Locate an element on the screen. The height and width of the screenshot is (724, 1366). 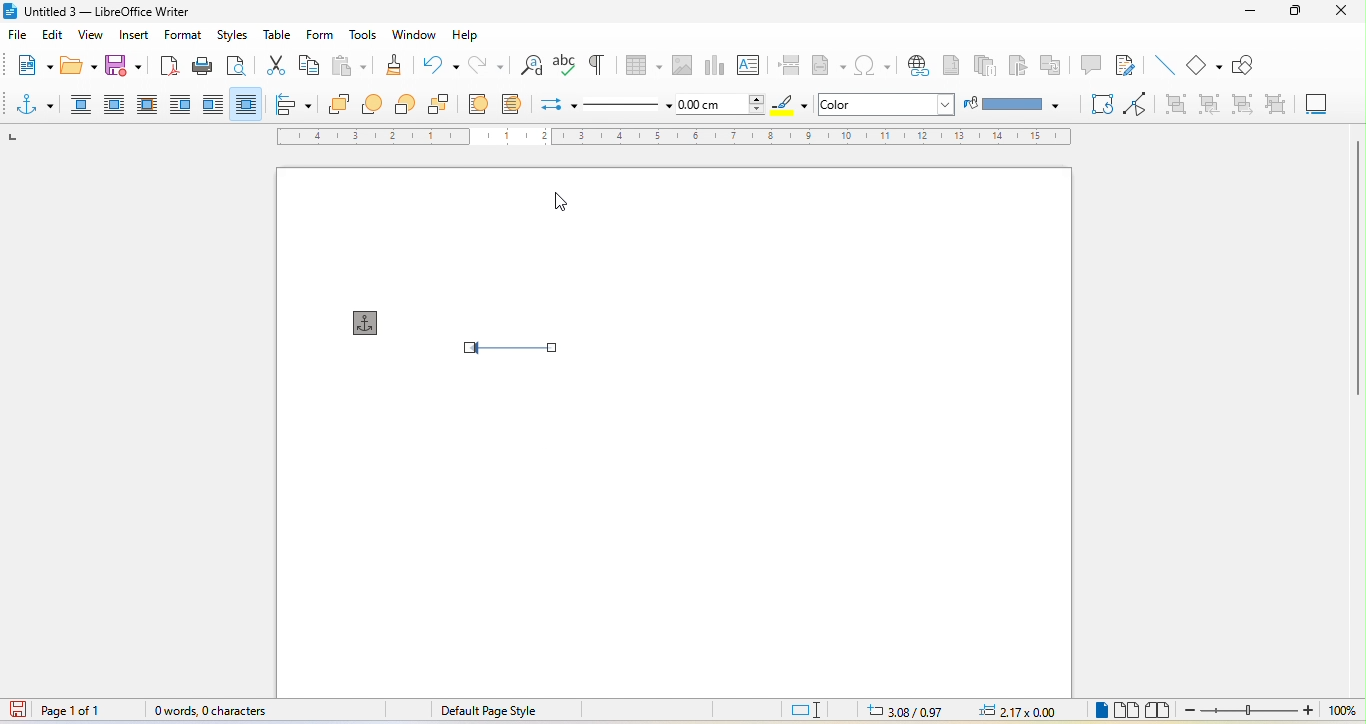
0 wards , 0 character is located at coordinates (212, 711).